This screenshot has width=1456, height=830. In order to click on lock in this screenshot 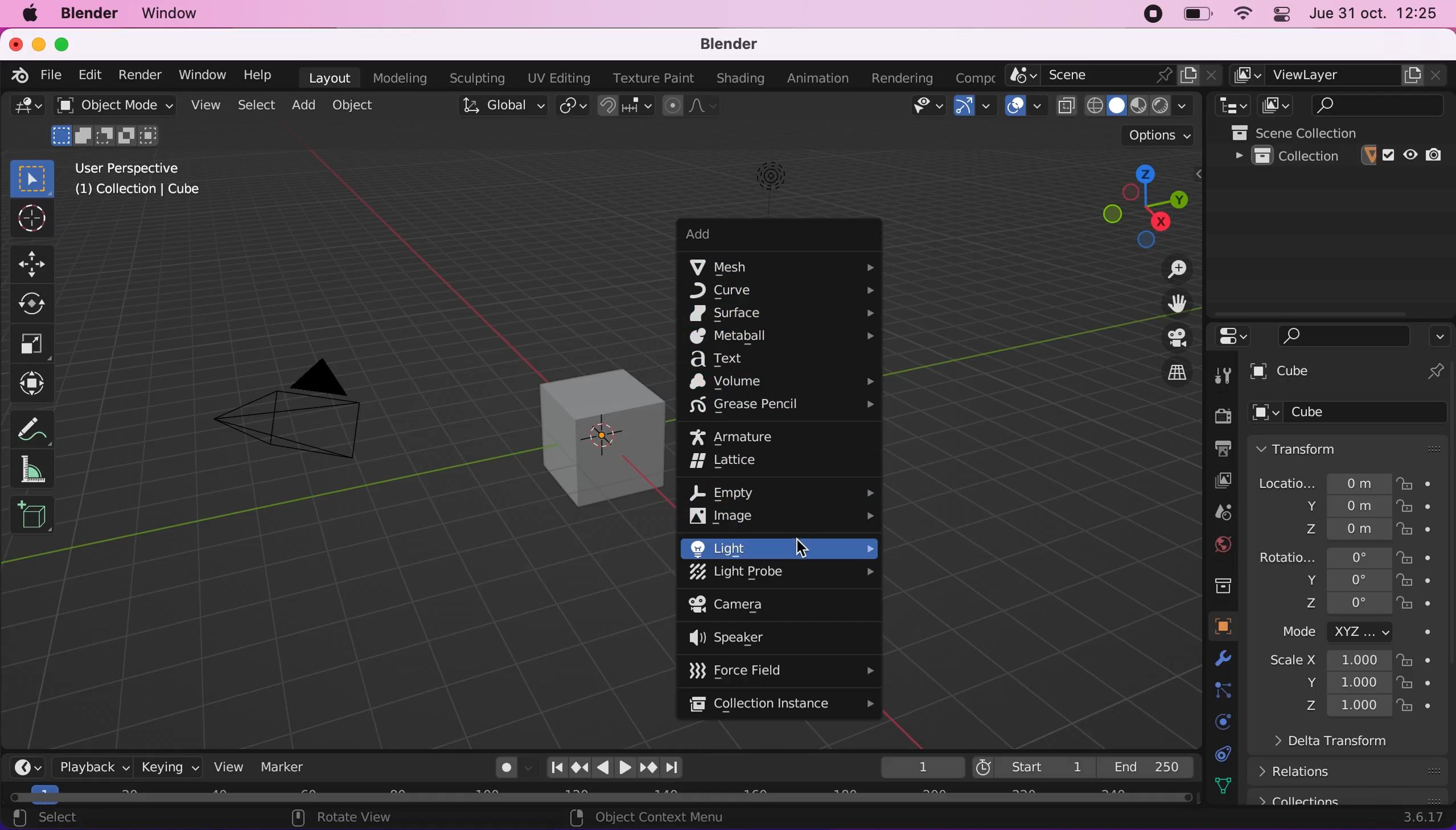, I will do `click(1427, 707)`.